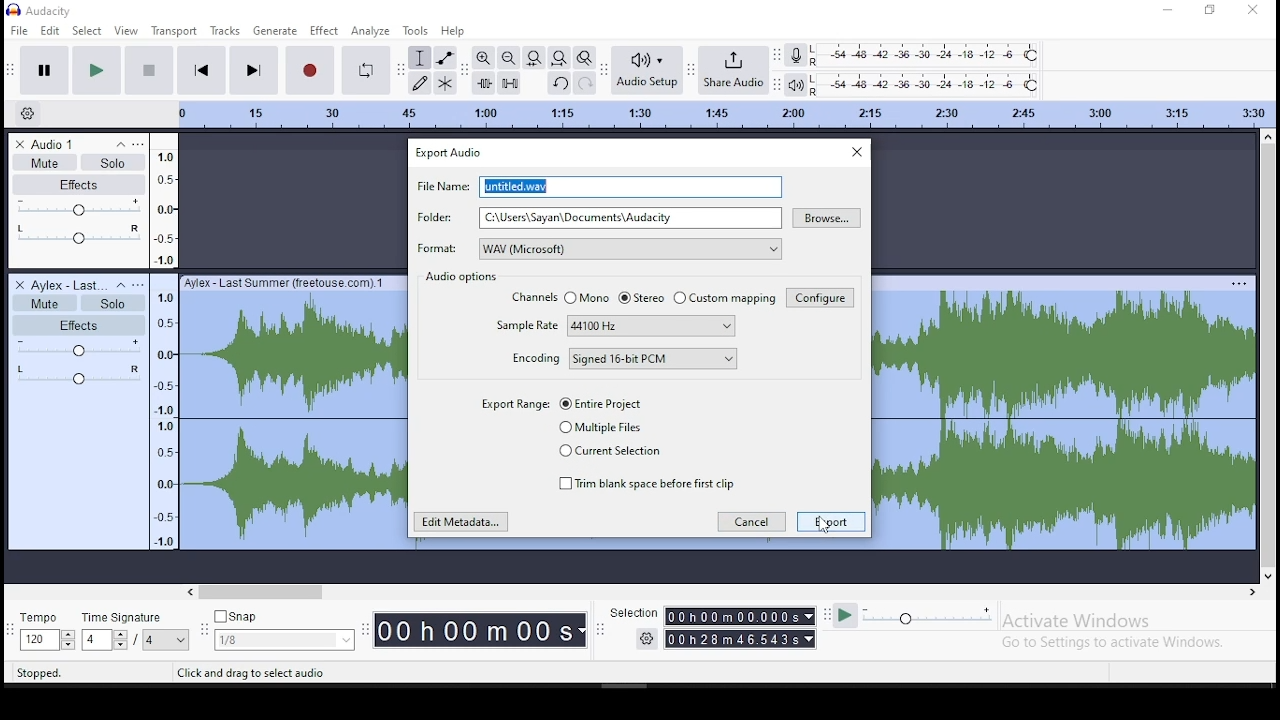 The height and width of the screenshot is (720, 1280). Describe the element at coordinates (1064, 416) in the screenshot. I see `audio track` at that location.